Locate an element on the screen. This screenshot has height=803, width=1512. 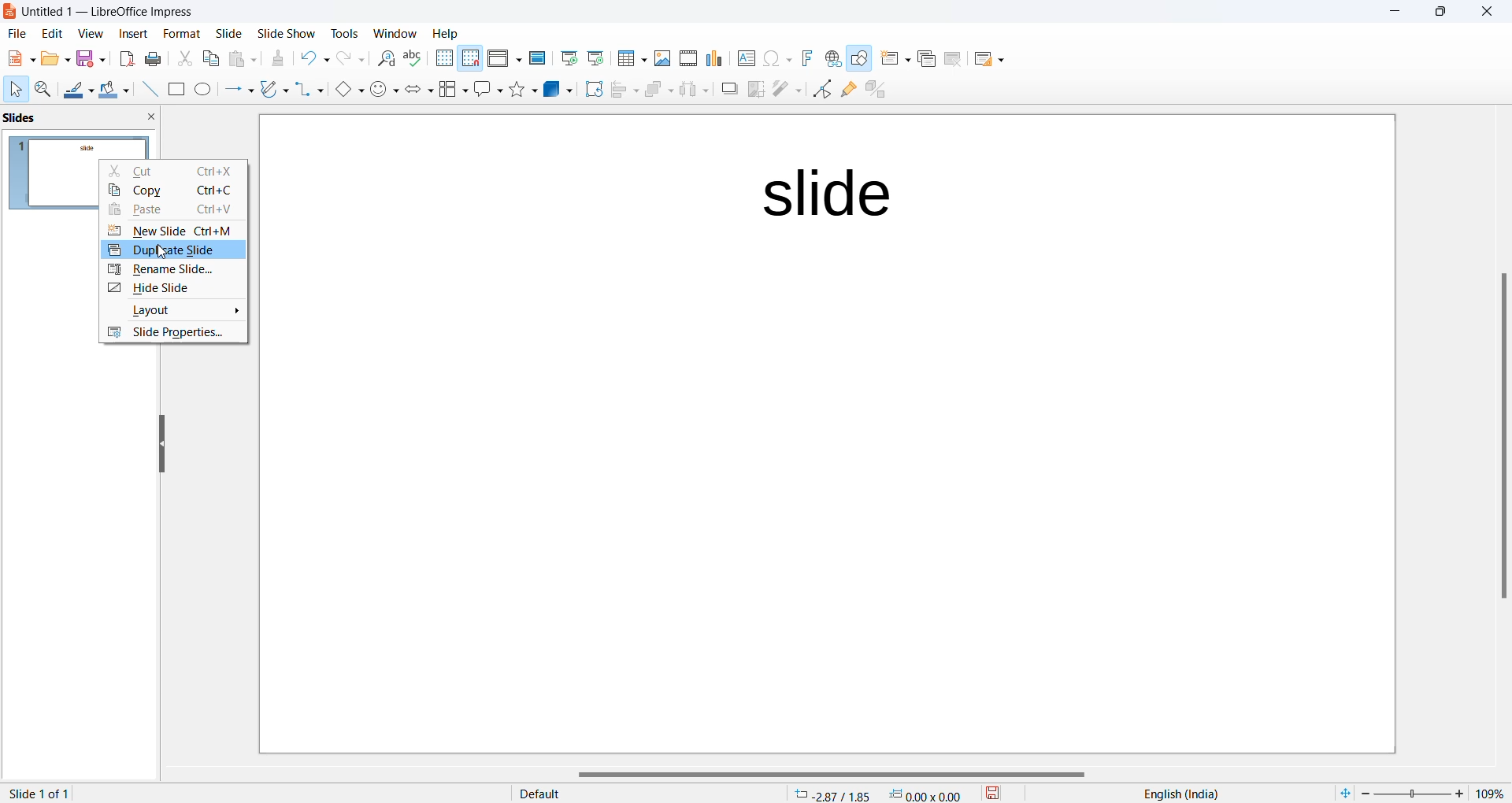
Insert font work text is located at coordinates (806, 58).